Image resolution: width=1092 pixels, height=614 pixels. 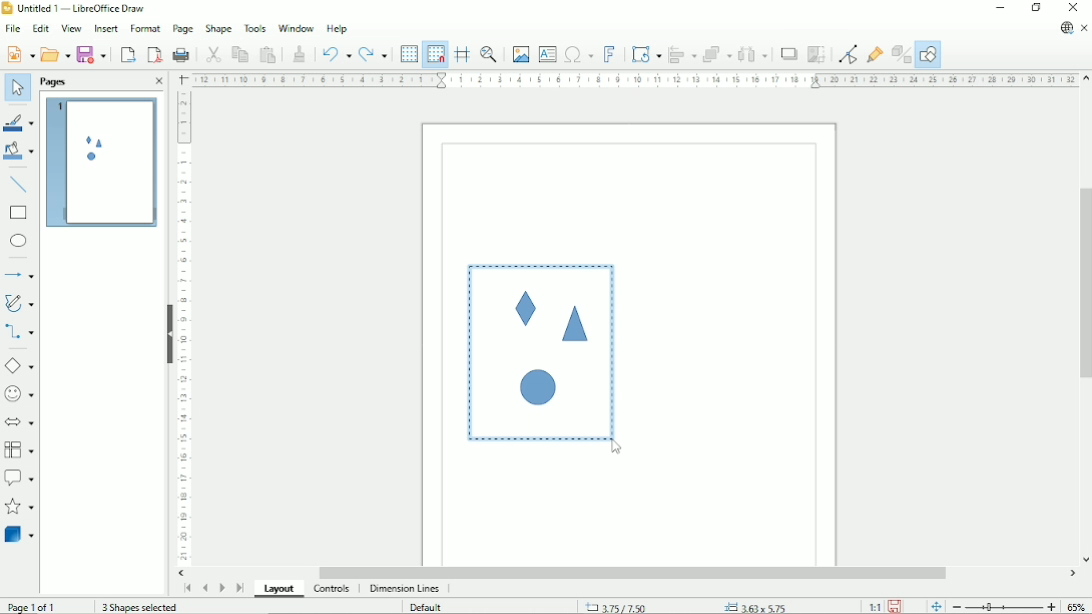 I want to click on Snap to grid, so click(x=435, y=54).